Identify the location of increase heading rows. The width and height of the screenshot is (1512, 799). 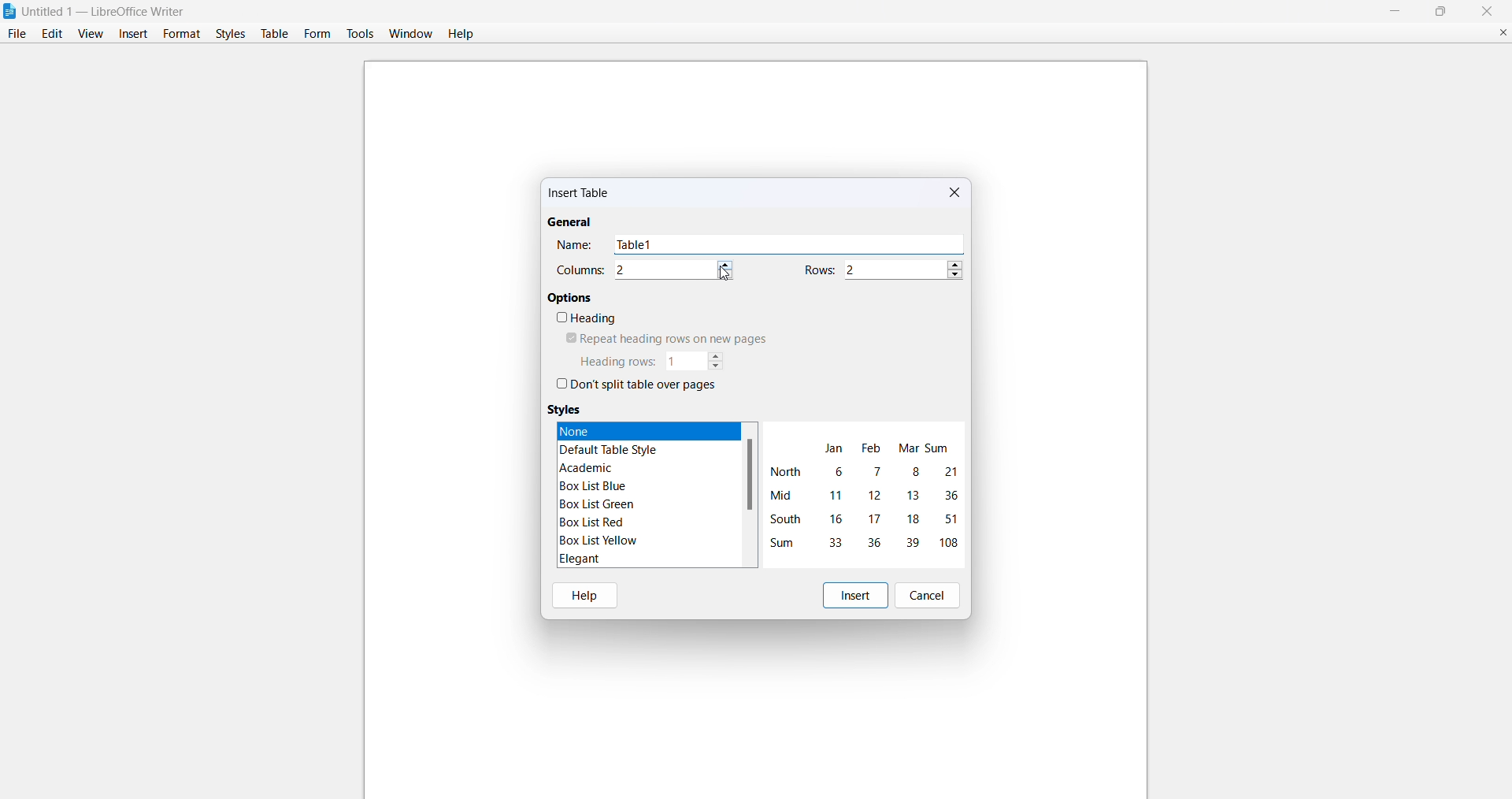
(717, 355).